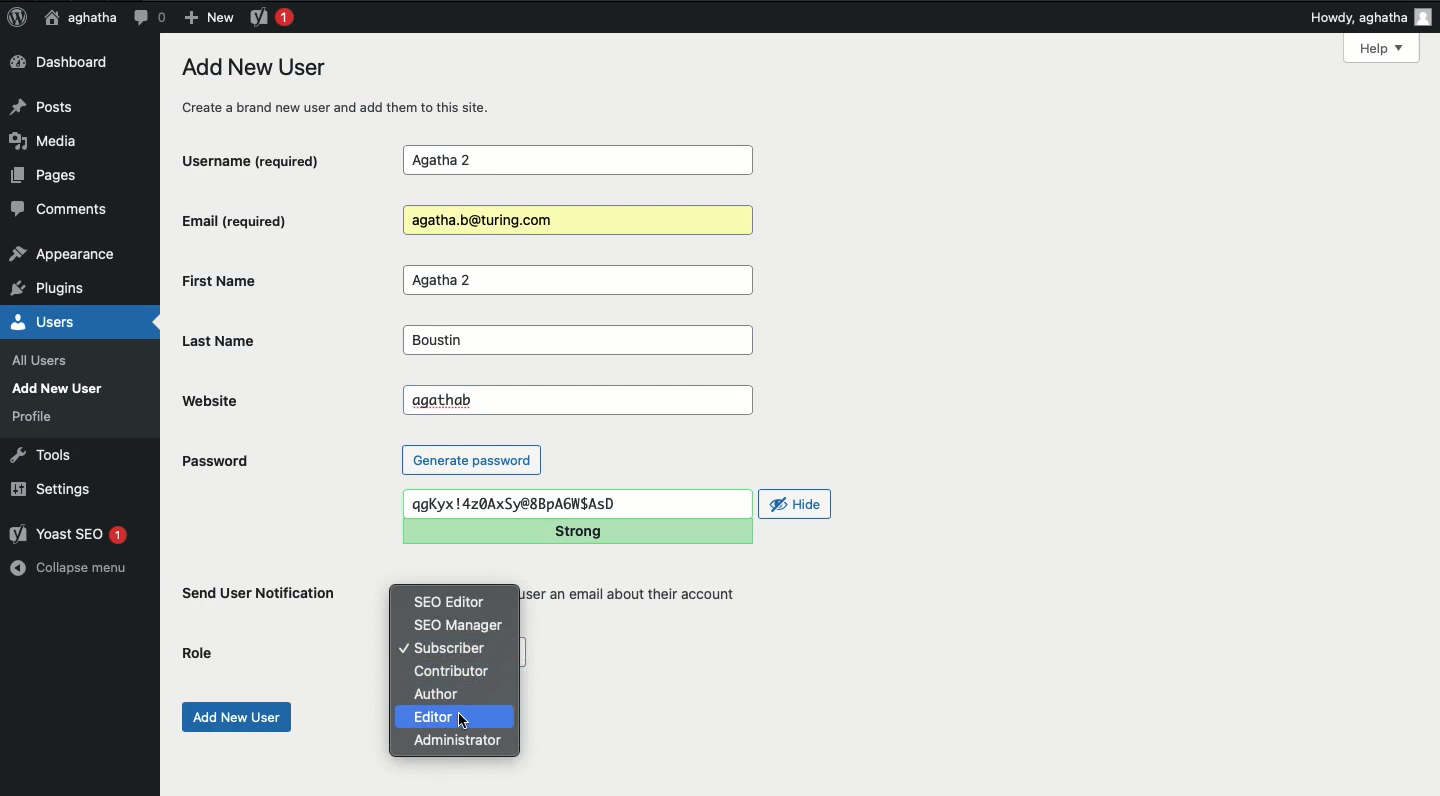 The image size is (1440, 796). I want to click on SEO editor, so click(452, 602).